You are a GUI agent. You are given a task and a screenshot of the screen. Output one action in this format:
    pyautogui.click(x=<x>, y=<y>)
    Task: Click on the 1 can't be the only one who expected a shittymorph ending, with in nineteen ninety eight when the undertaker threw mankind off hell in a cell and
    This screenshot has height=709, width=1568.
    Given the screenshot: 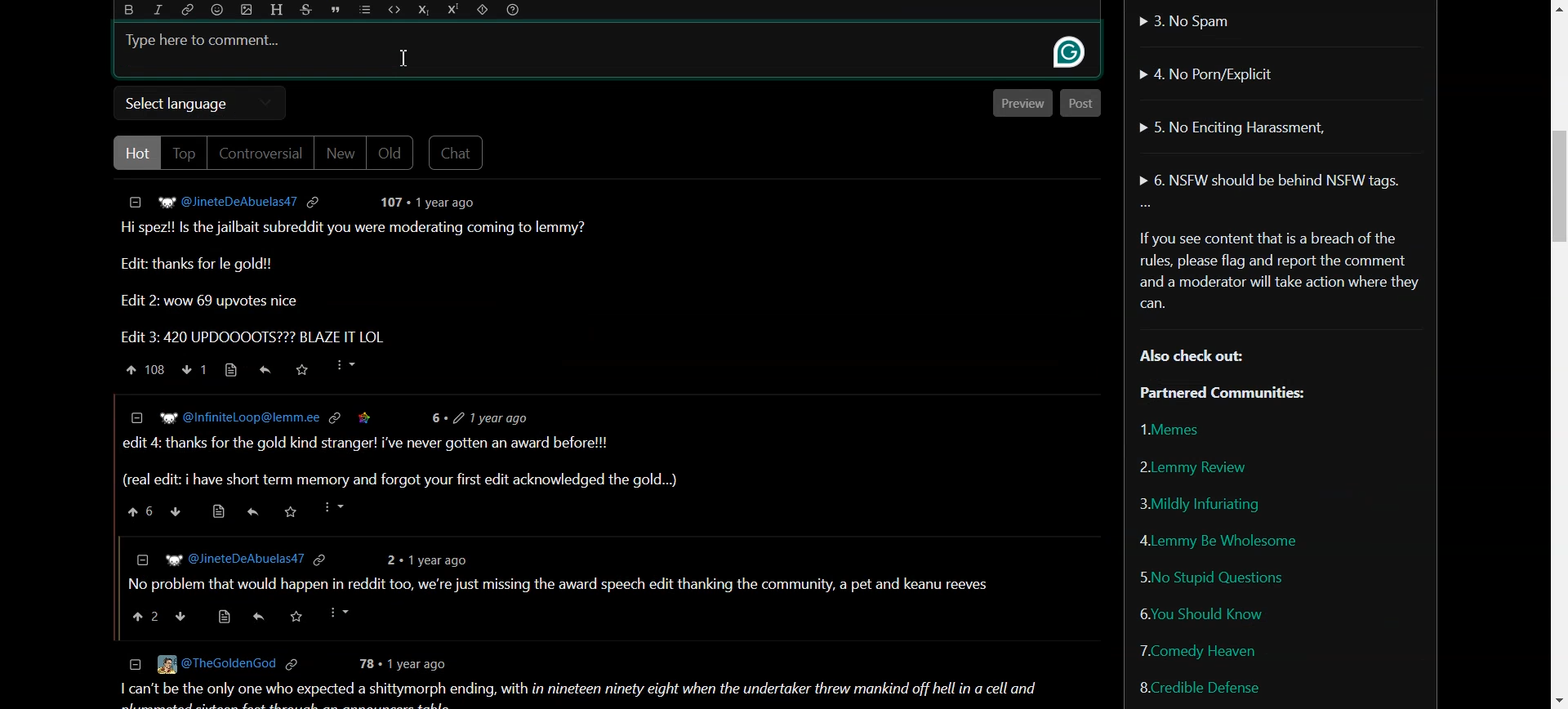 What is the action you would take?
    pyautogui.click(x=572, y=689)
    